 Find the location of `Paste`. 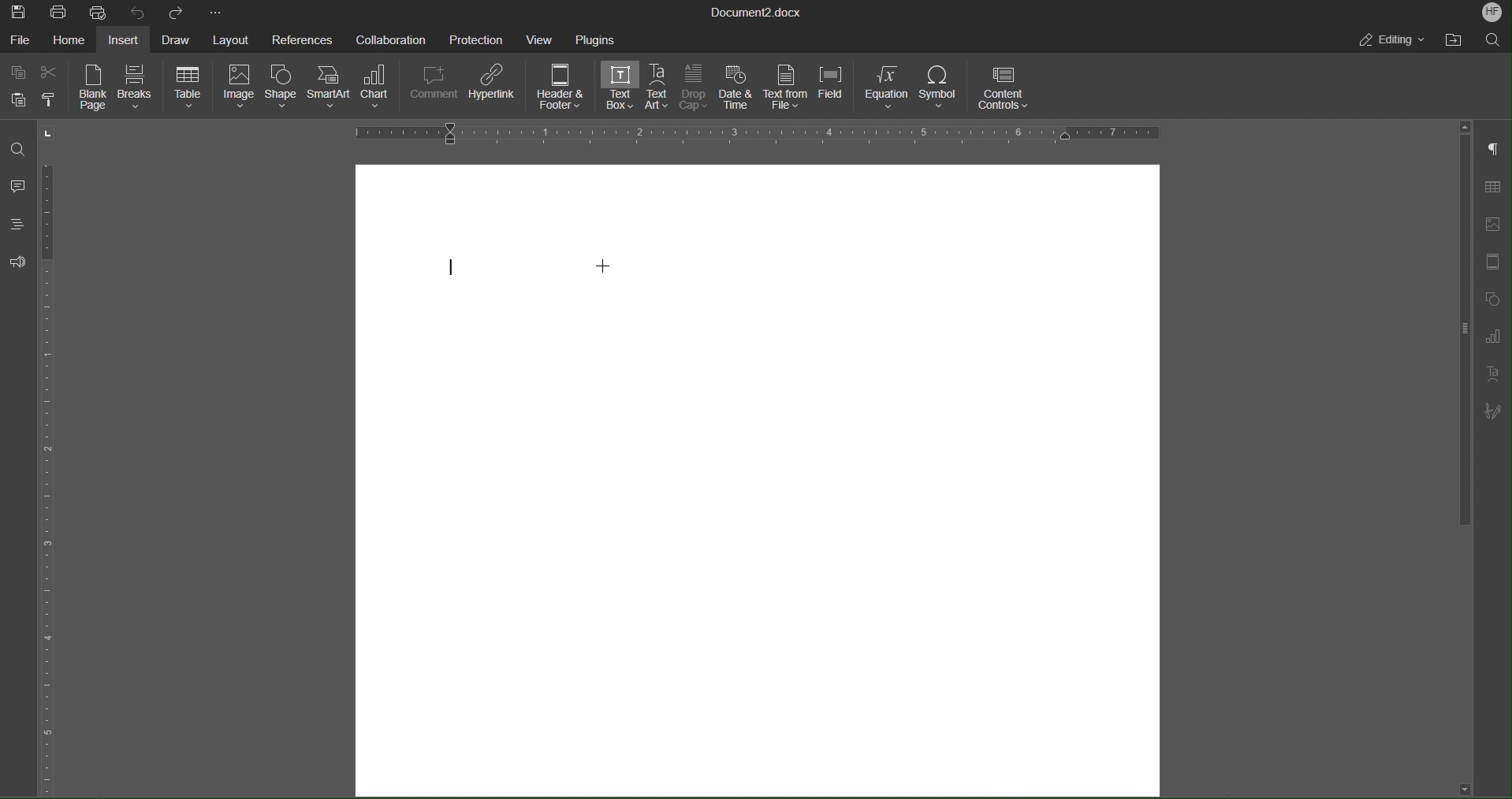

Paste is located at coordinates (18, 99).